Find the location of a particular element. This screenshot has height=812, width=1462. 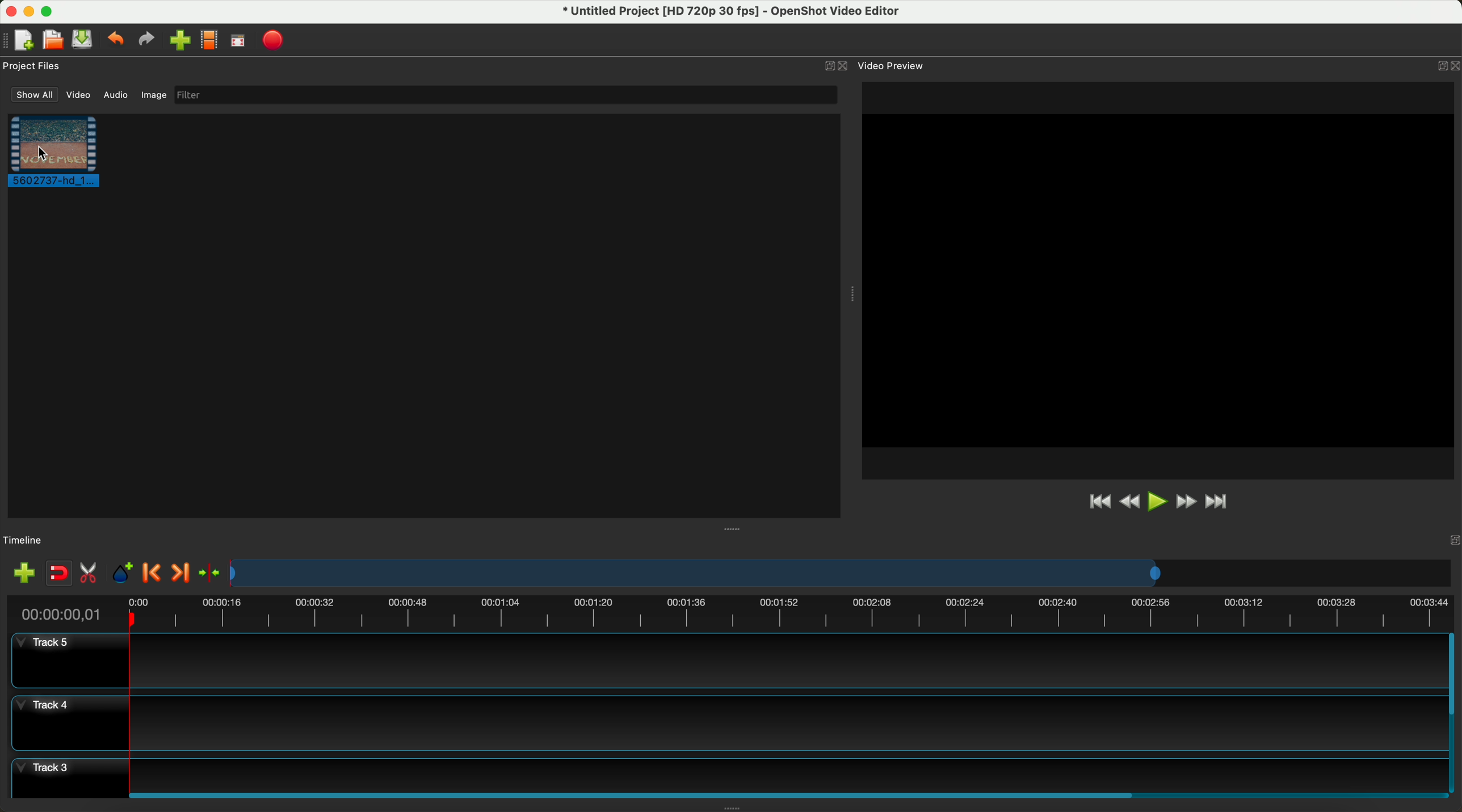

jump to start is located at coordinates (1098, 503).